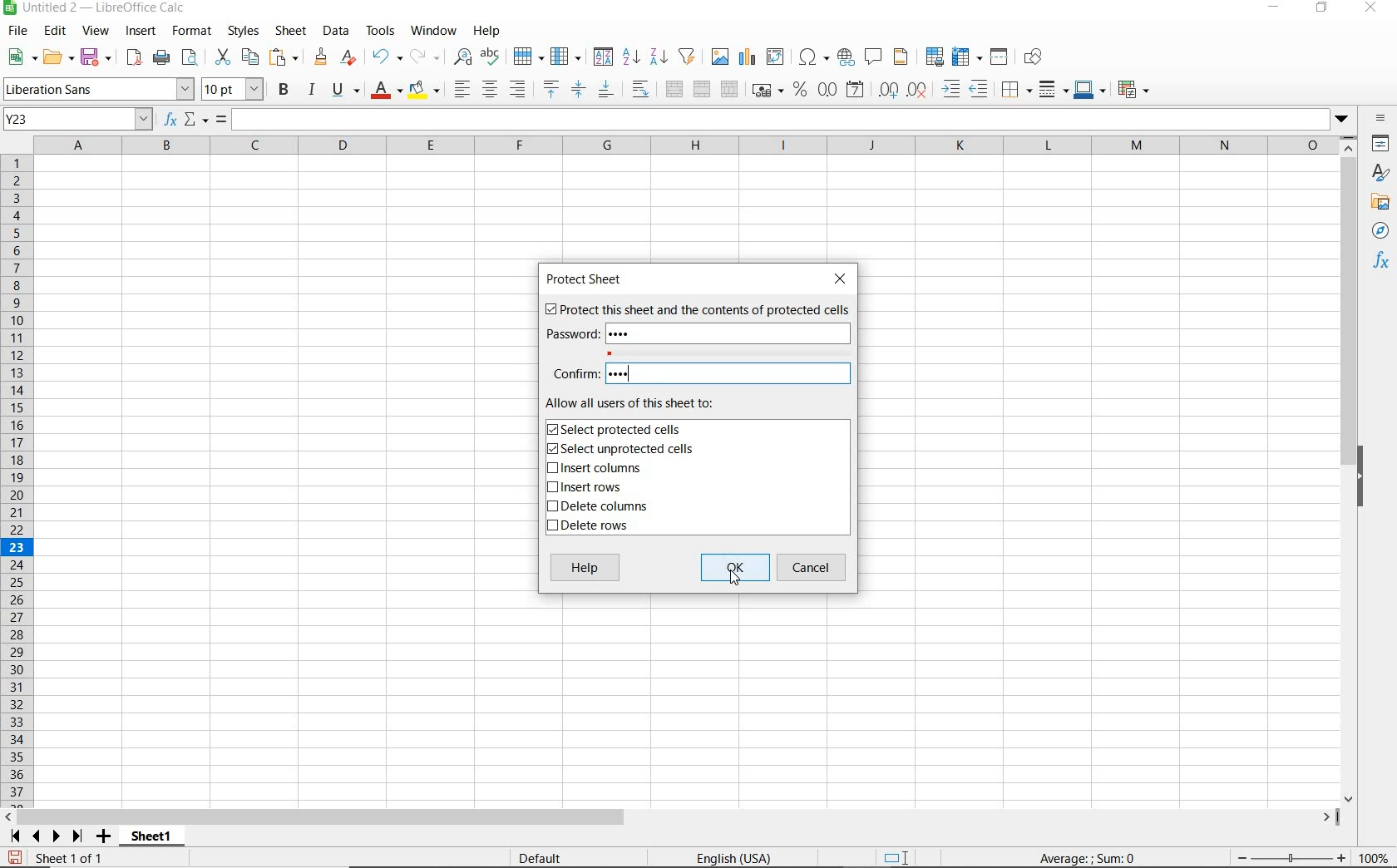 The height and width of the screenshot is (868, 1397). Describe the element at coordinates (106, 837) in the screenshot. I see `ADD SHEET` at that location.